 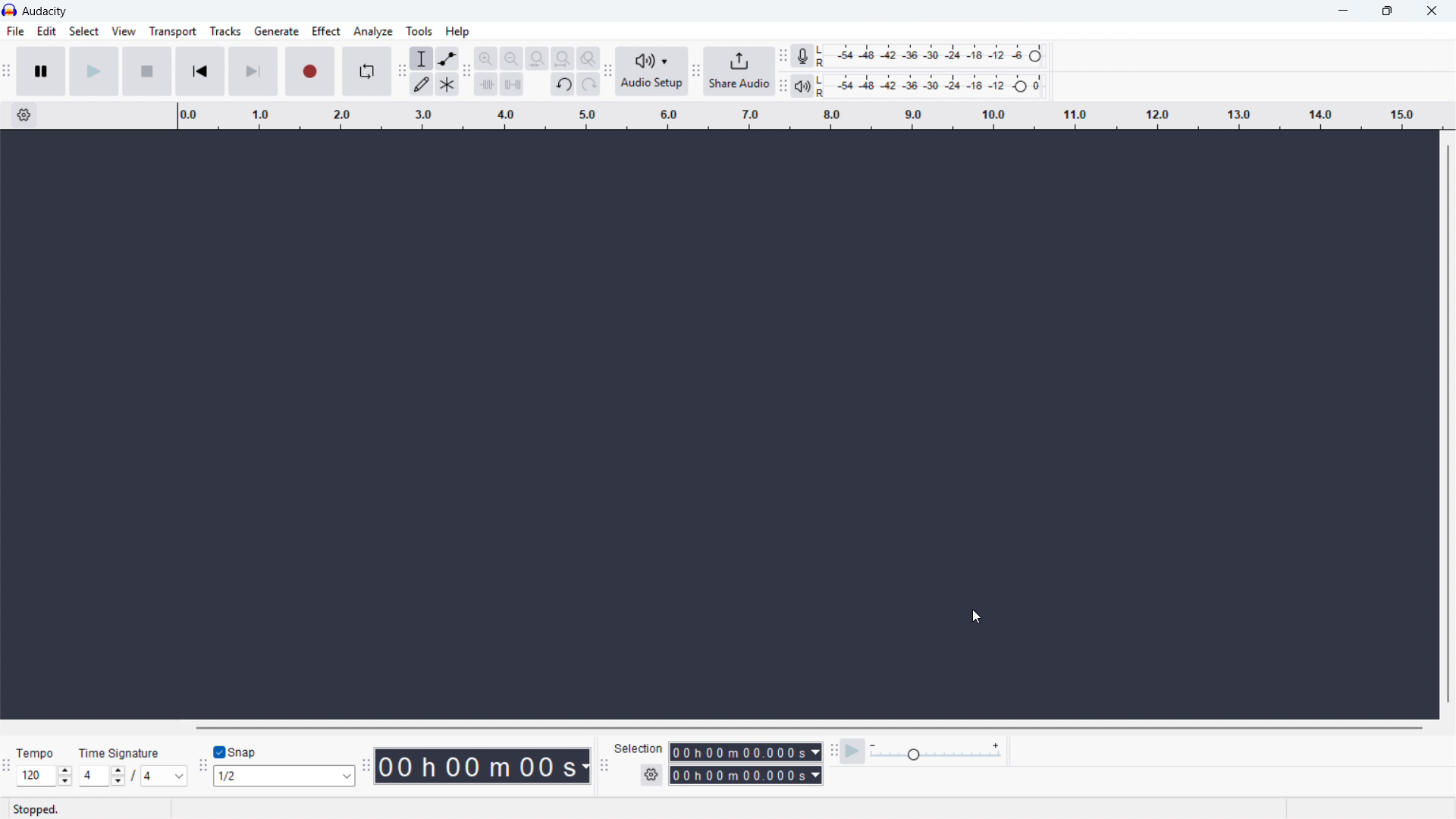 I want to click on help, so click(x=458, y=31).